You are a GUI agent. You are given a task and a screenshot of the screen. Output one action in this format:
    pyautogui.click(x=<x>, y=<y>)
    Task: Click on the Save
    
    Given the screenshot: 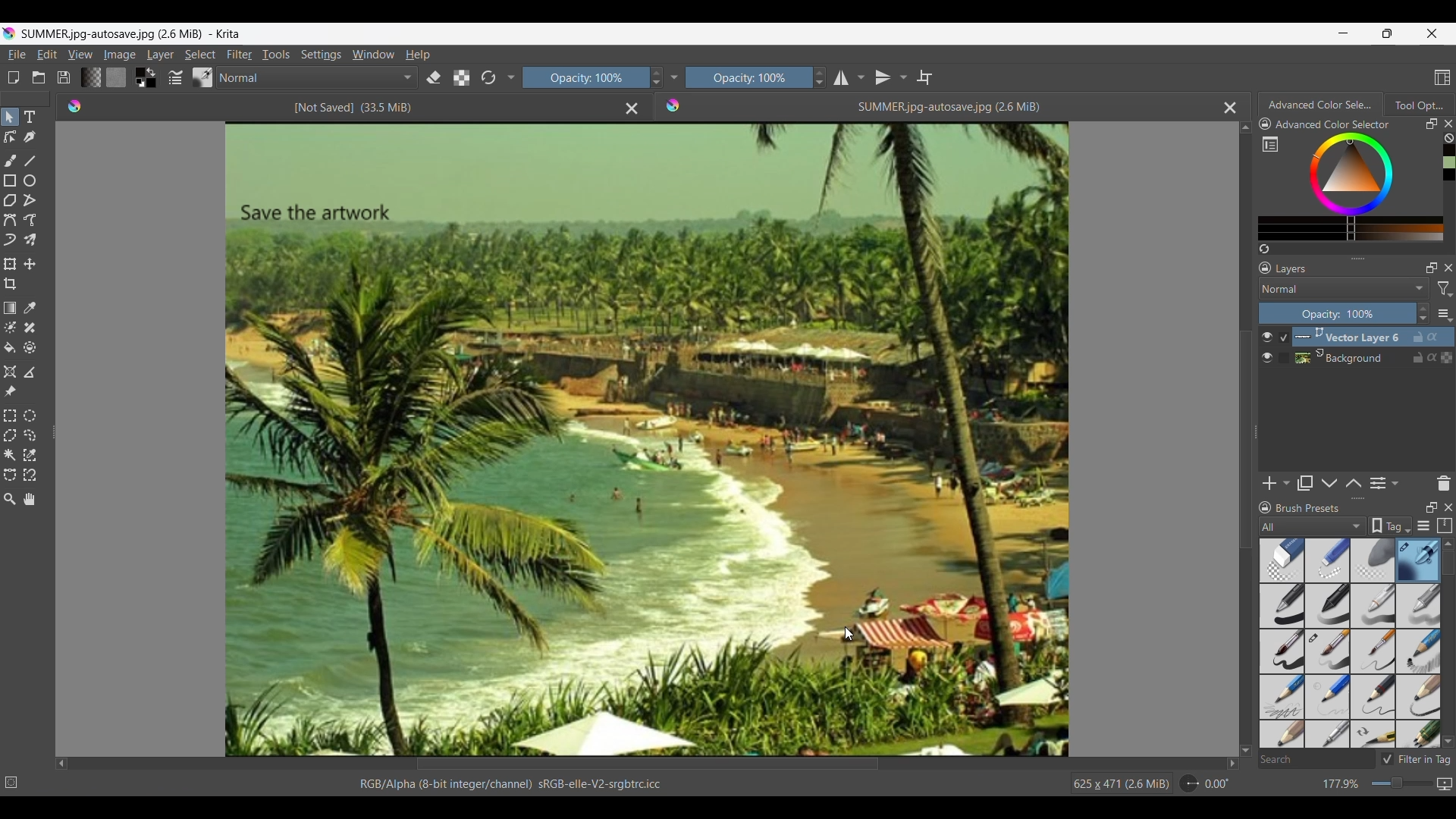 What is the action you would take?
    pyautogui.click(x=64, y=77)
    